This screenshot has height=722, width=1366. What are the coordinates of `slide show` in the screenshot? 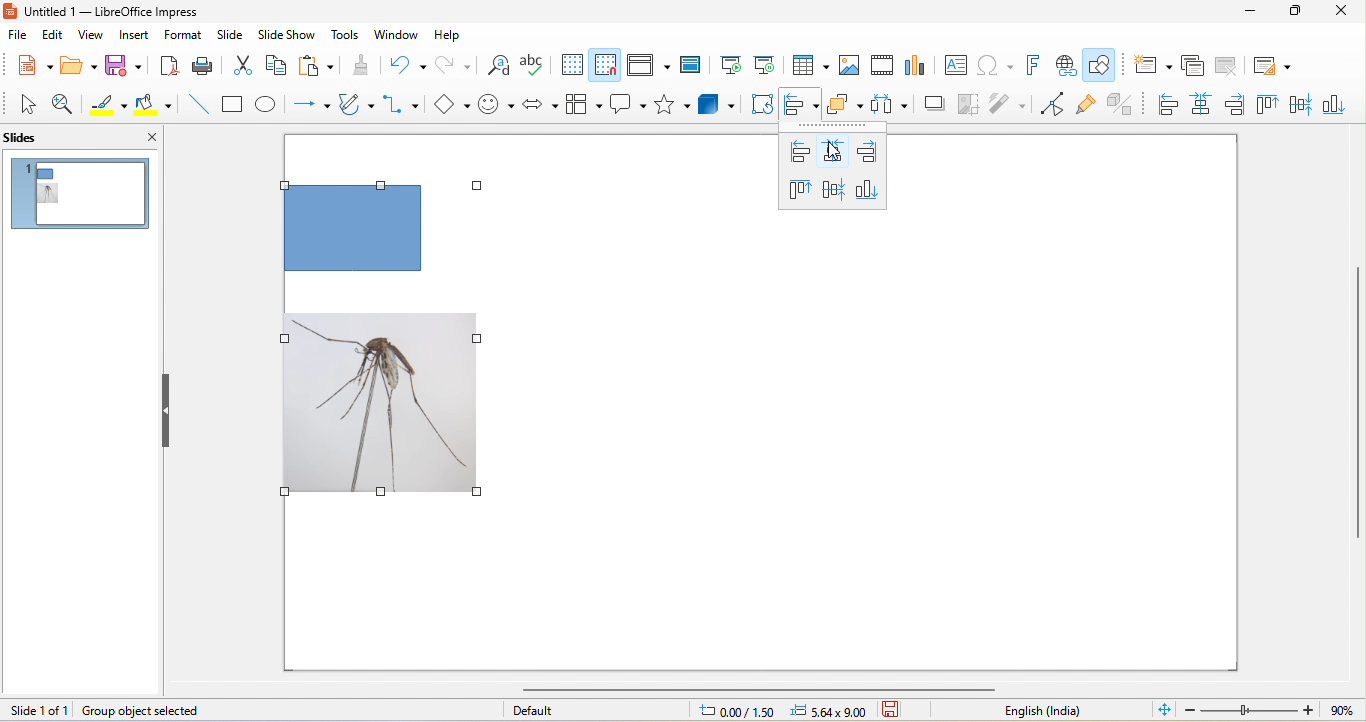 It's located at (292, 37).